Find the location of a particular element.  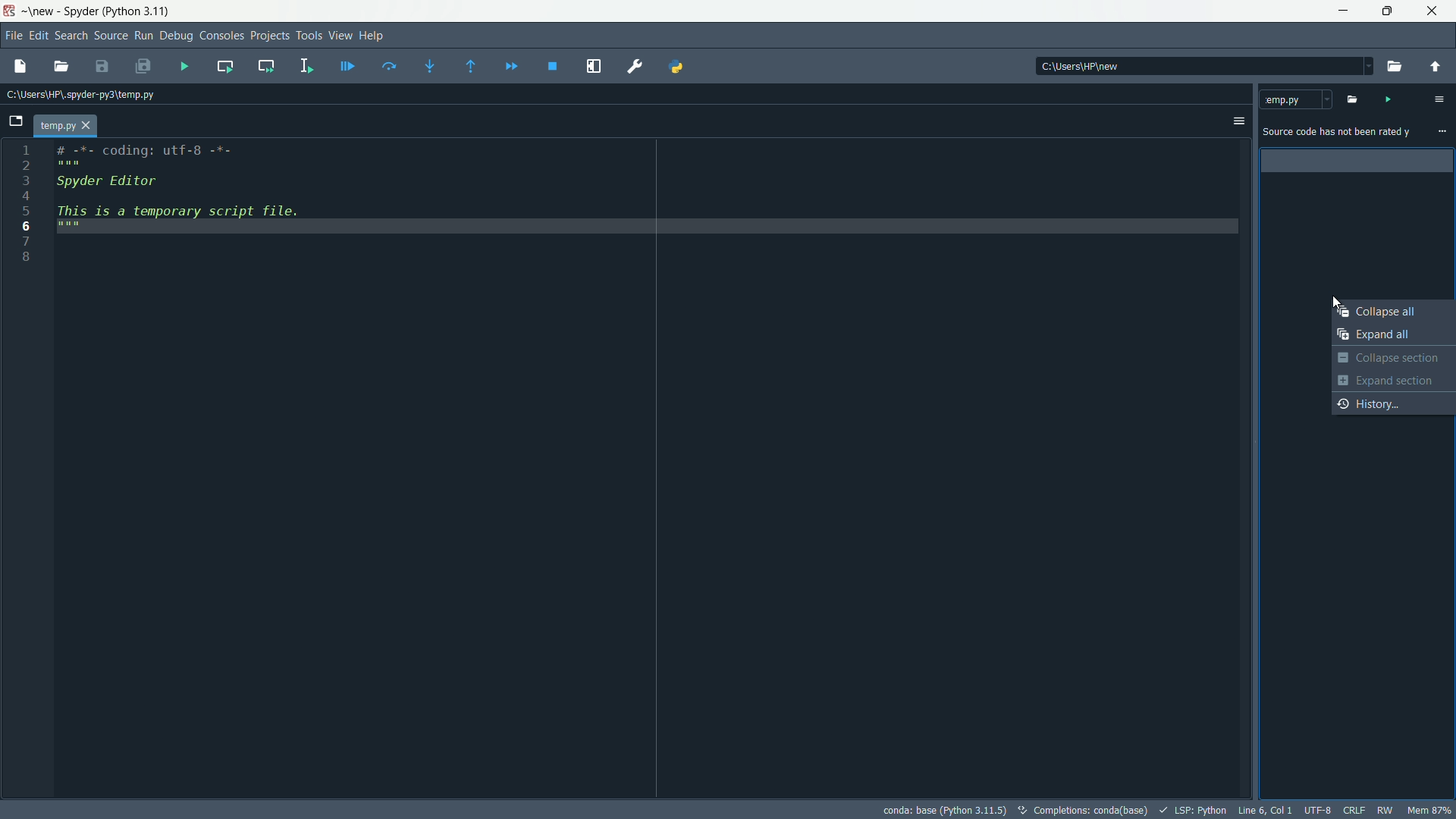

LSP:Python is located at coordinates (1194, 810).